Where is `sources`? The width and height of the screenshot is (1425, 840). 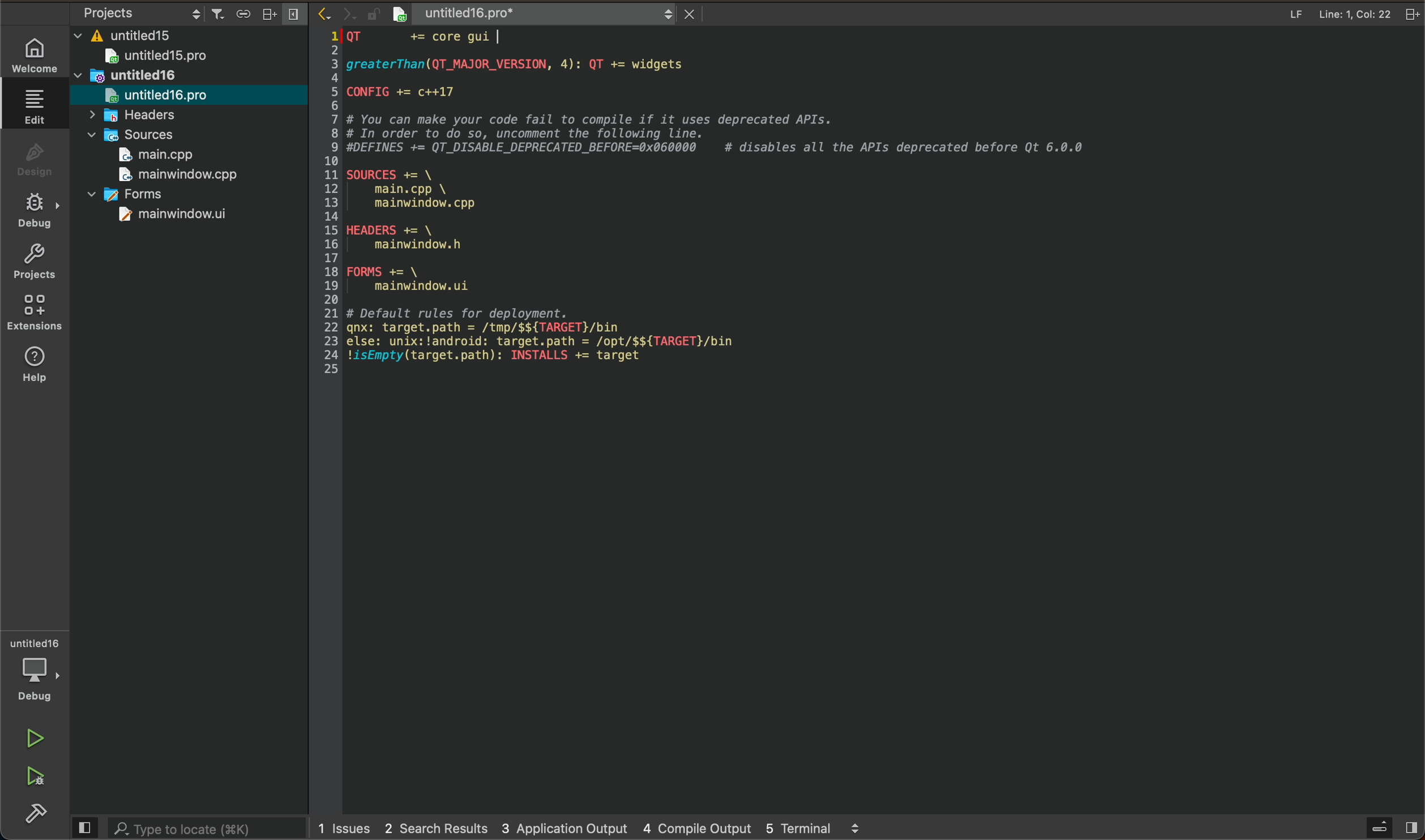
sources is located at coordinates (134, 135).